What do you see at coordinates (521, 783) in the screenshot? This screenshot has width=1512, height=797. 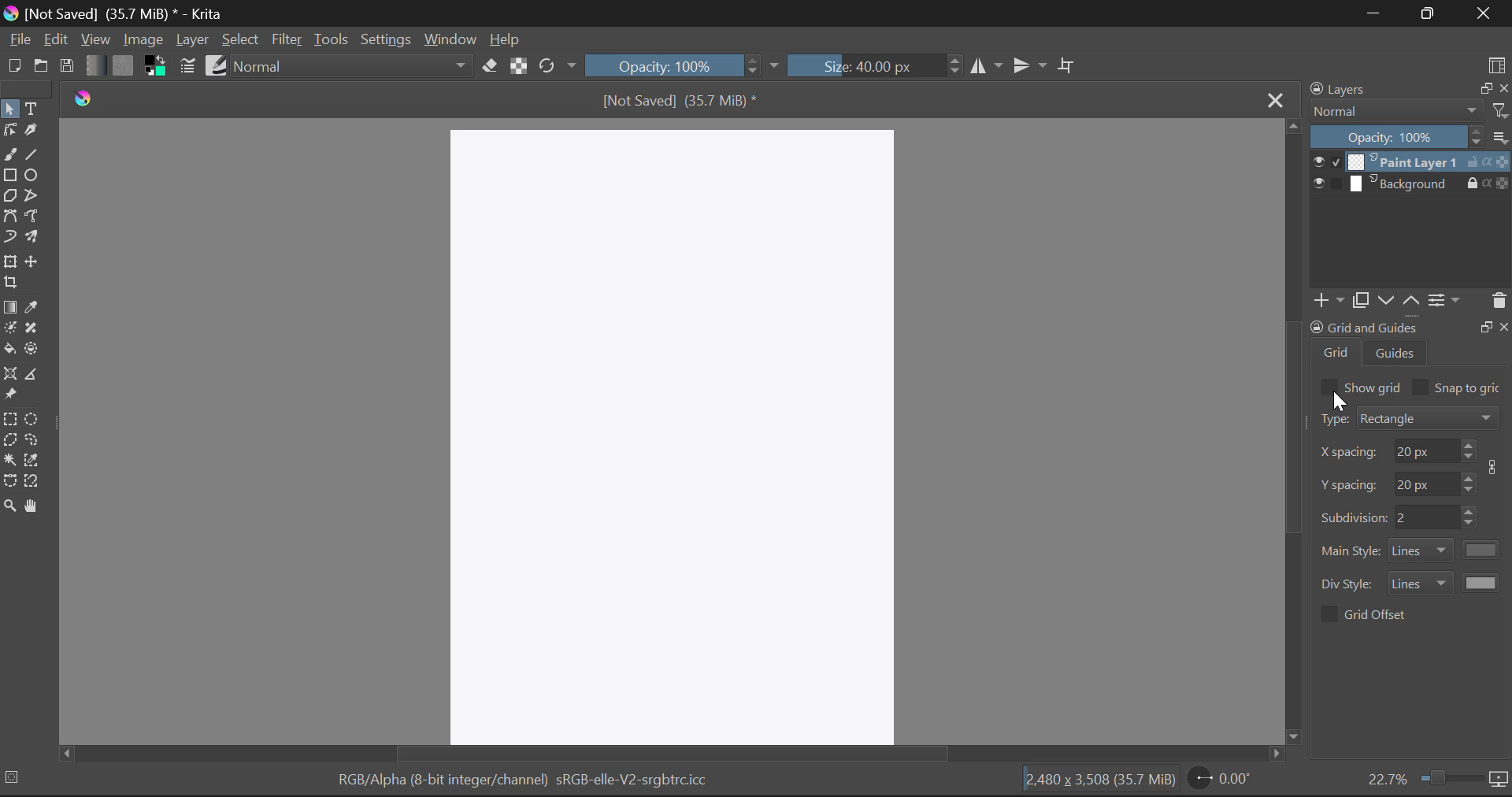 I see `RGB/Alpha (8-bit integer/channel) sRGB-elle-V2-srgbtrc.icc` at bounding box center [521, 783].